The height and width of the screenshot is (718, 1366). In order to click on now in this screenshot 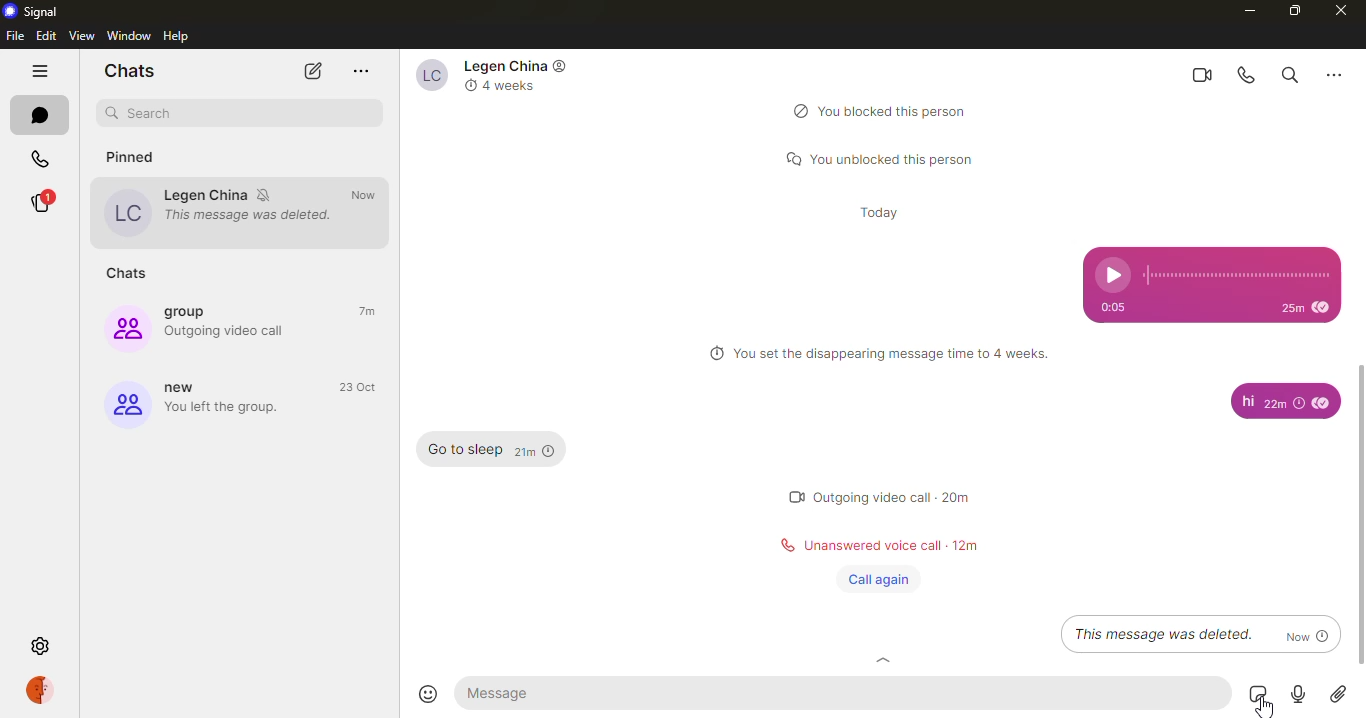, I will do `click(1306, 634)`.